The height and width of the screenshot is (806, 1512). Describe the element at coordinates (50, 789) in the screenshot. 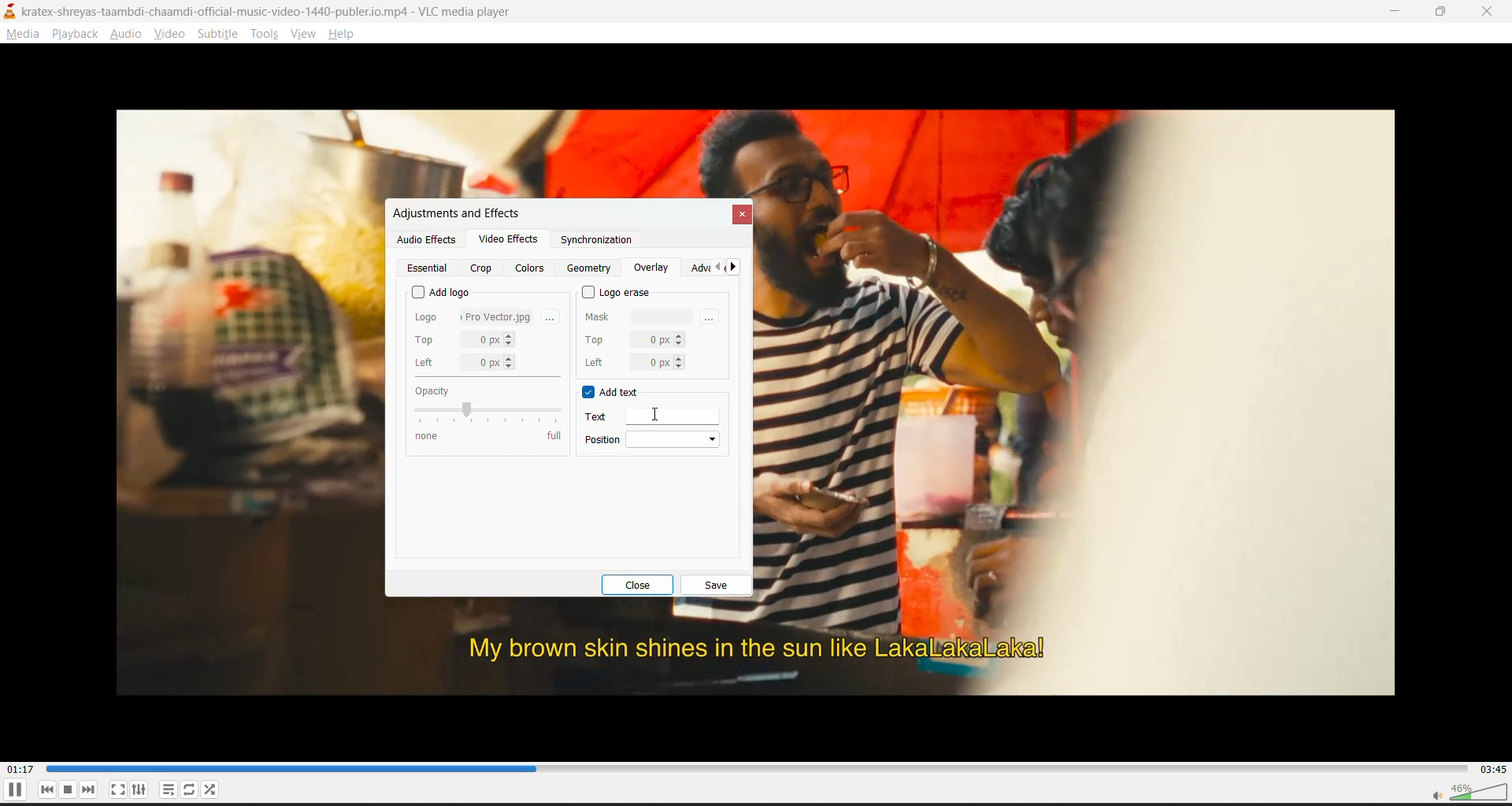

I see `previous` at that location.